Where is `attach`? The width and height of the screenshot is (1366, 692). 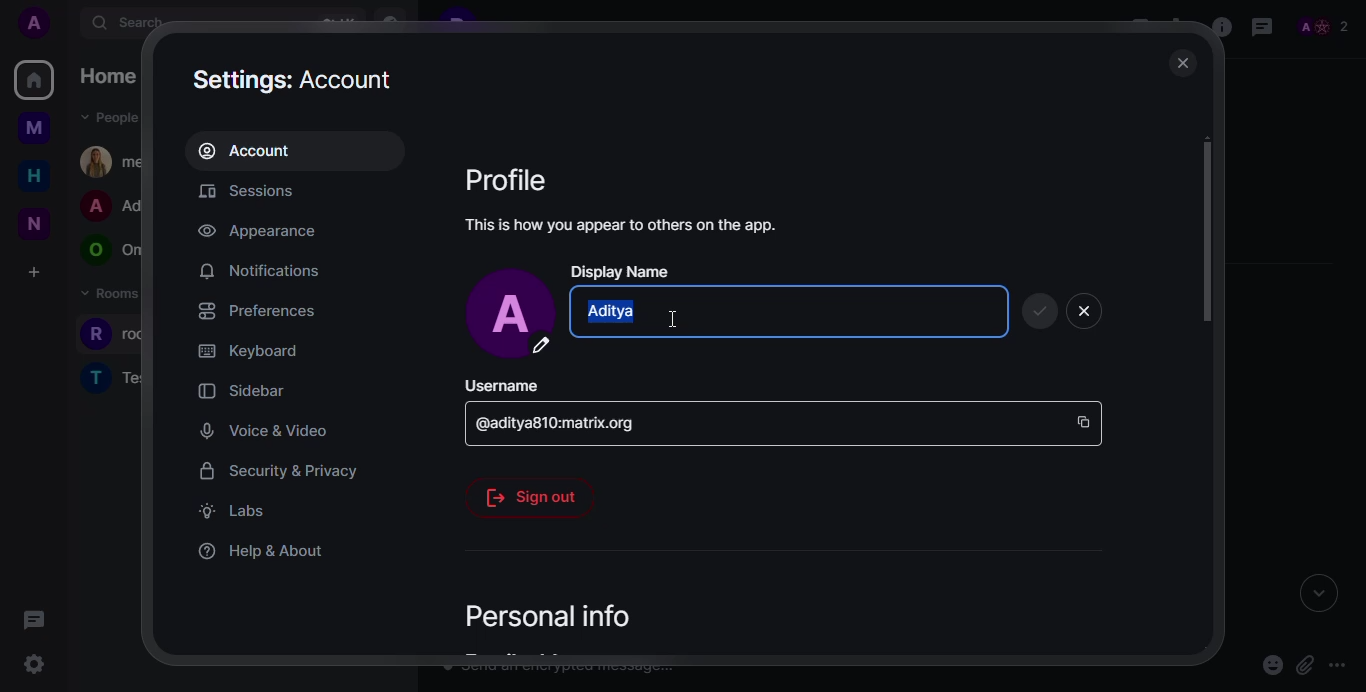 attach is located at coordinates (1304, 663).